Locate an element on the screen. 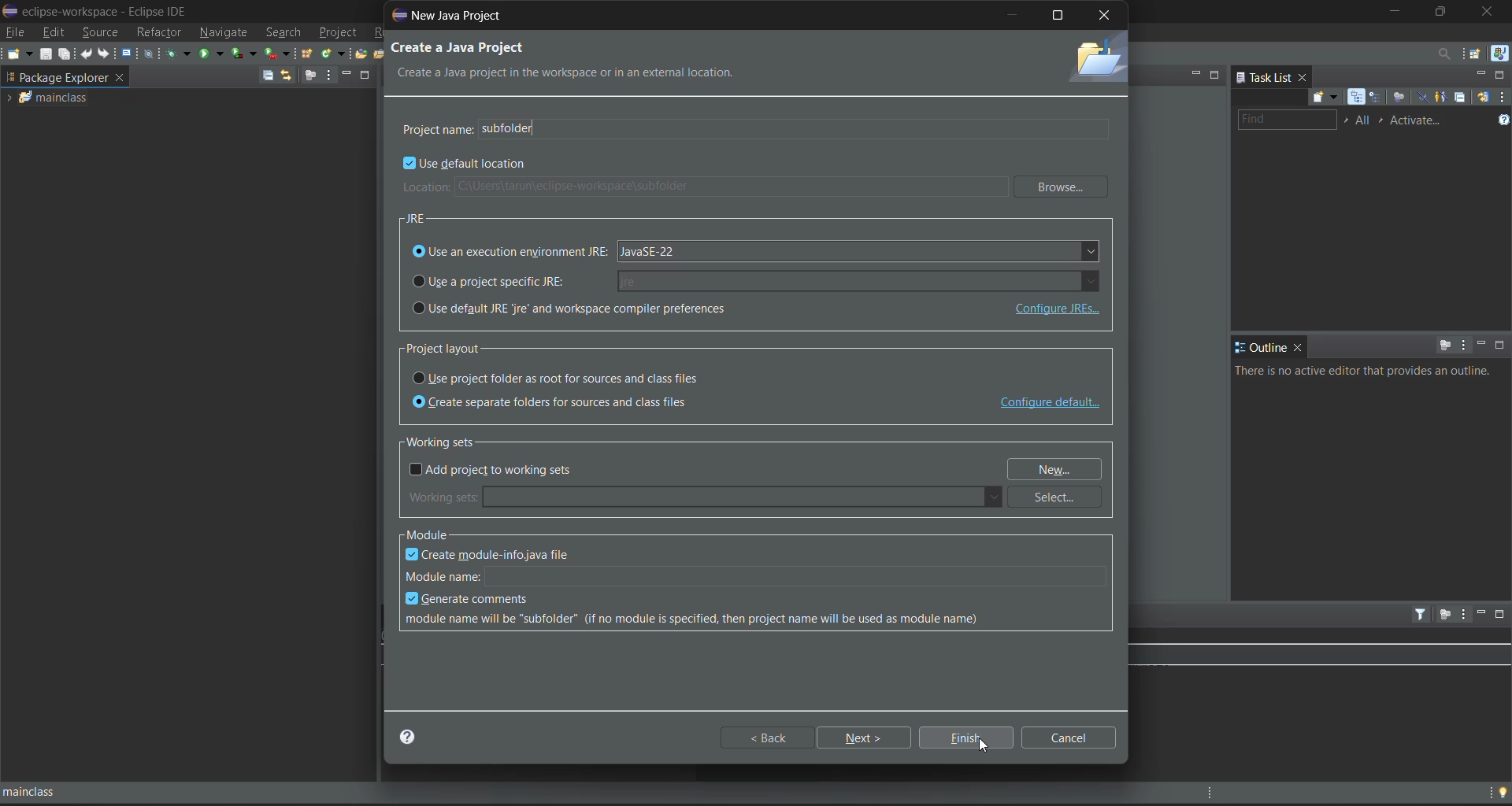 This screenshot has height=806, width=1512. configure default is located at coordinates (1050, 404).